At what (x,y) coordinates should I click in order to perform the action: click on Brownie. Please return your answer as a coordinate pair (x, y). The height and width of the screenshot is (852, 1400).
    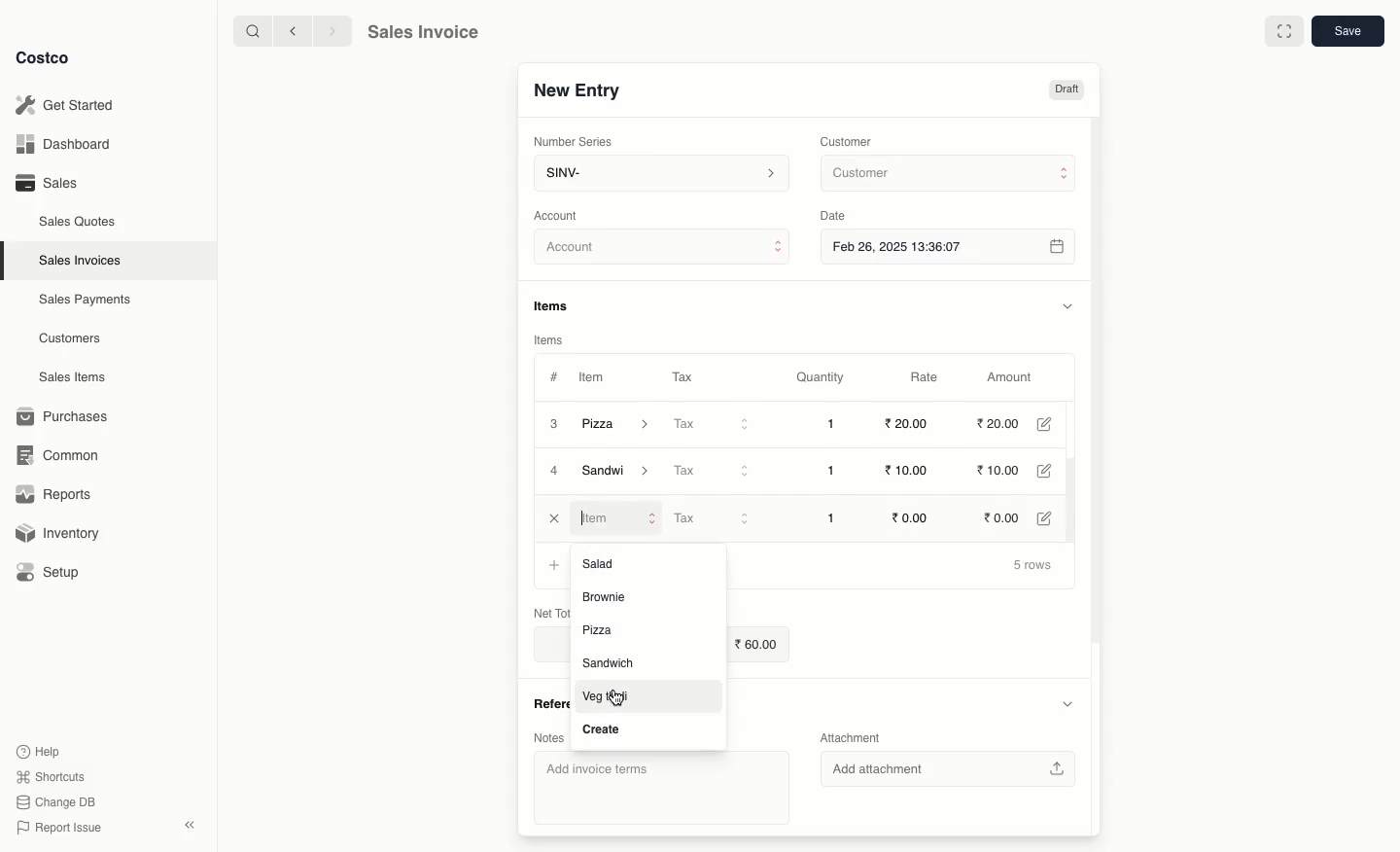
    Looking at the image, I should click on (610, 596).